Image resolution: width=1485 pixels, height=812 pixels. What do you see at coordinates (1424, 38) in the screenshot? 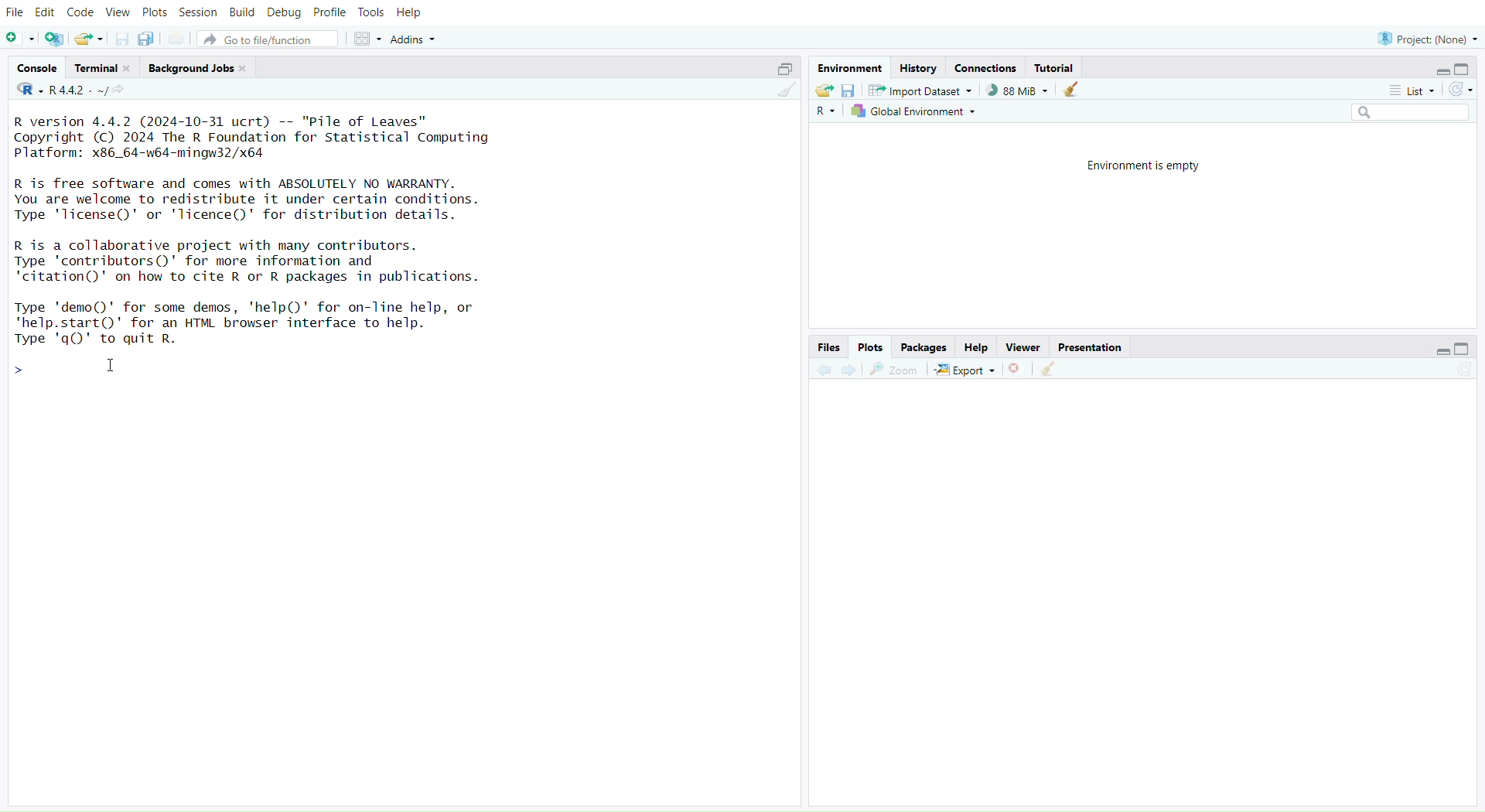
I see `project(None)` at bounding box center [1424, 38].